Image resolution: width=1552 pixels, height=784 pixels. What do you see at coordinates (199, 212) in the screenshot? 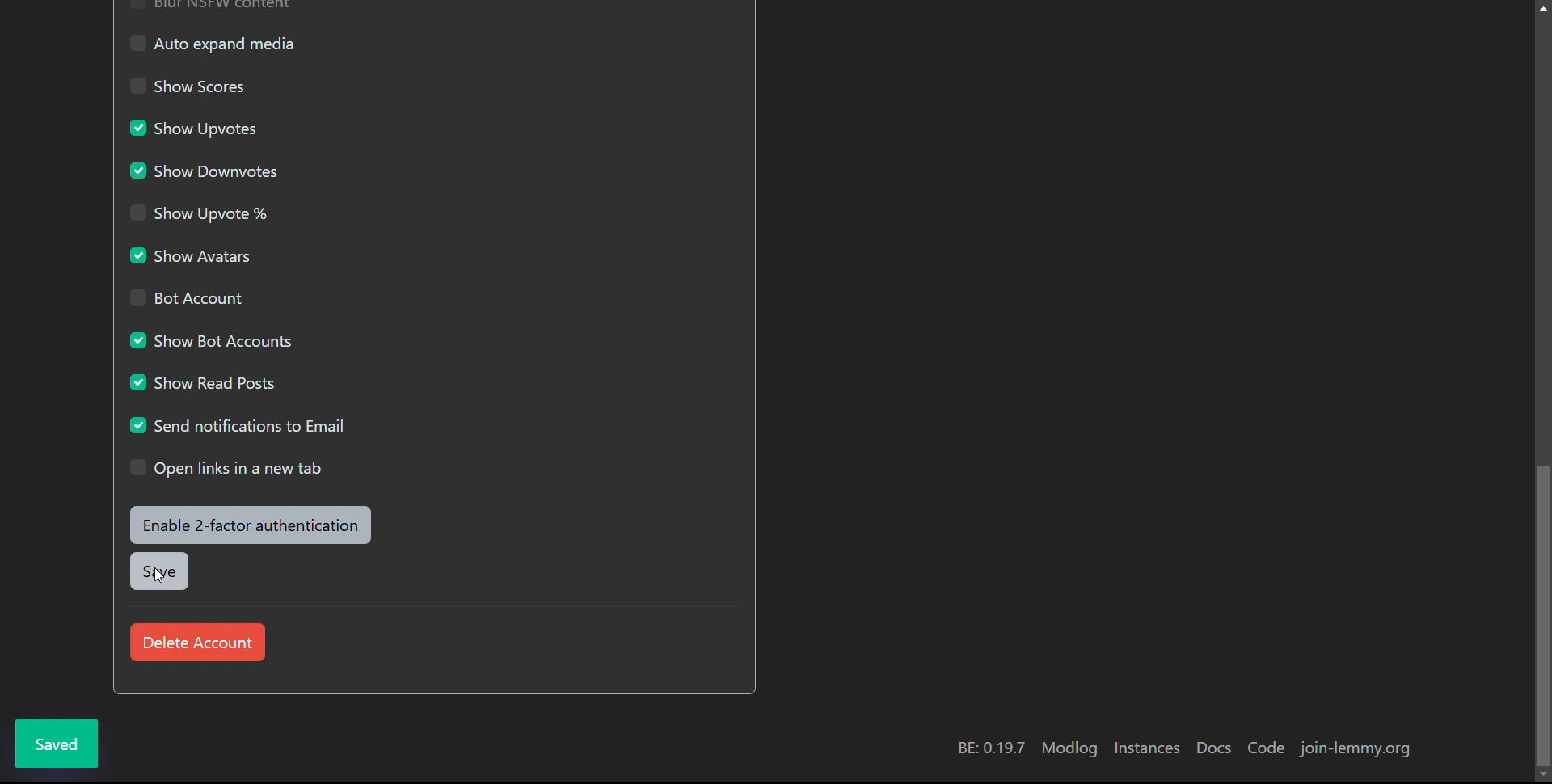
I see `show upvote %` at bounding box center [199, 212].